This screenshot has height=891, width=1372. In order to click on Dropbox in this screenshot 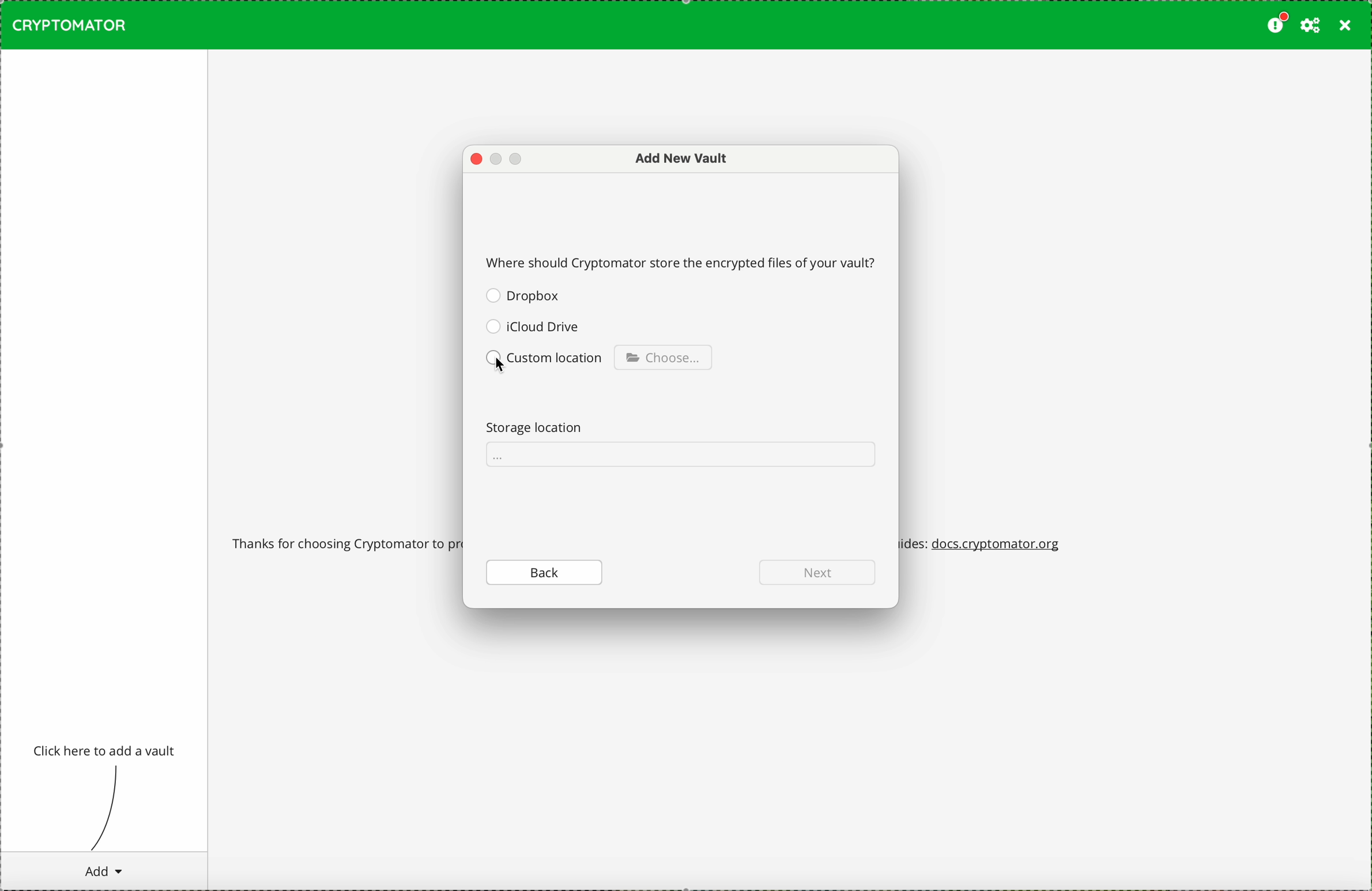, I will do `click(525, 295)`.